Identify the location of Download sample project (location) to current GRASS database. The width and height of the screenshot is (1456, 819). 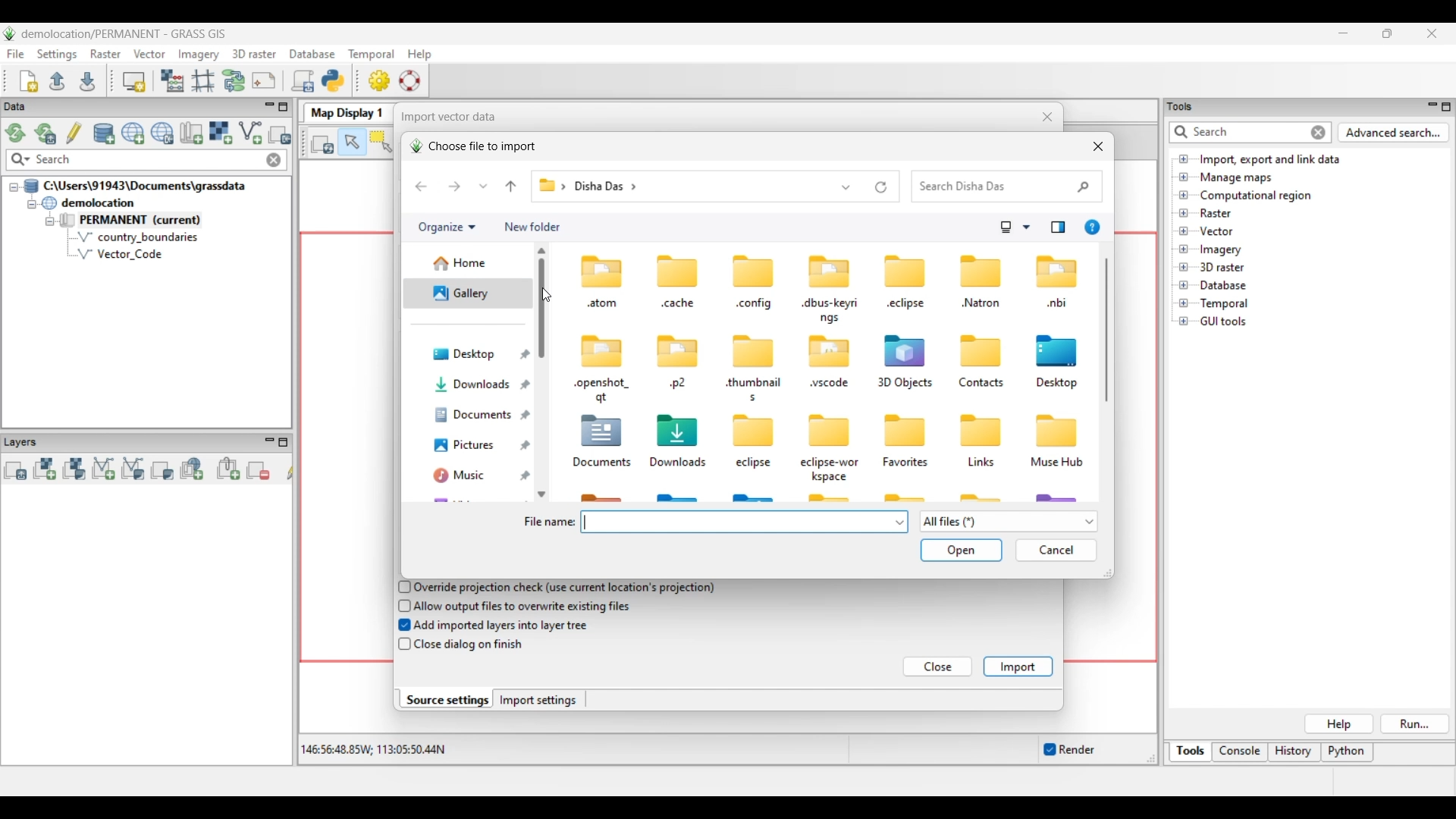
(162, 133).